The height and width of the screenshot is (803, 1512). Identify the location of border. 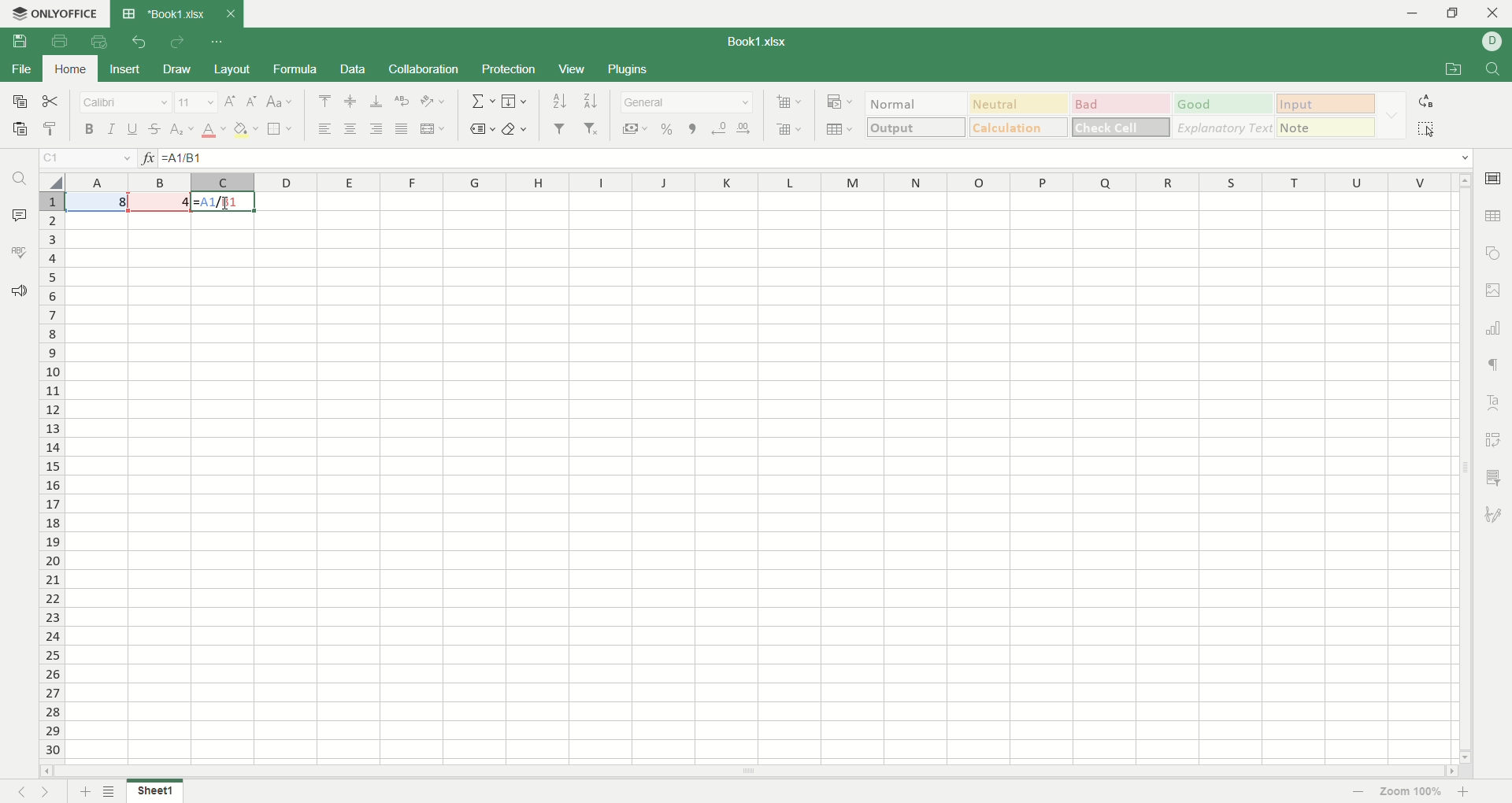
(280, 128).